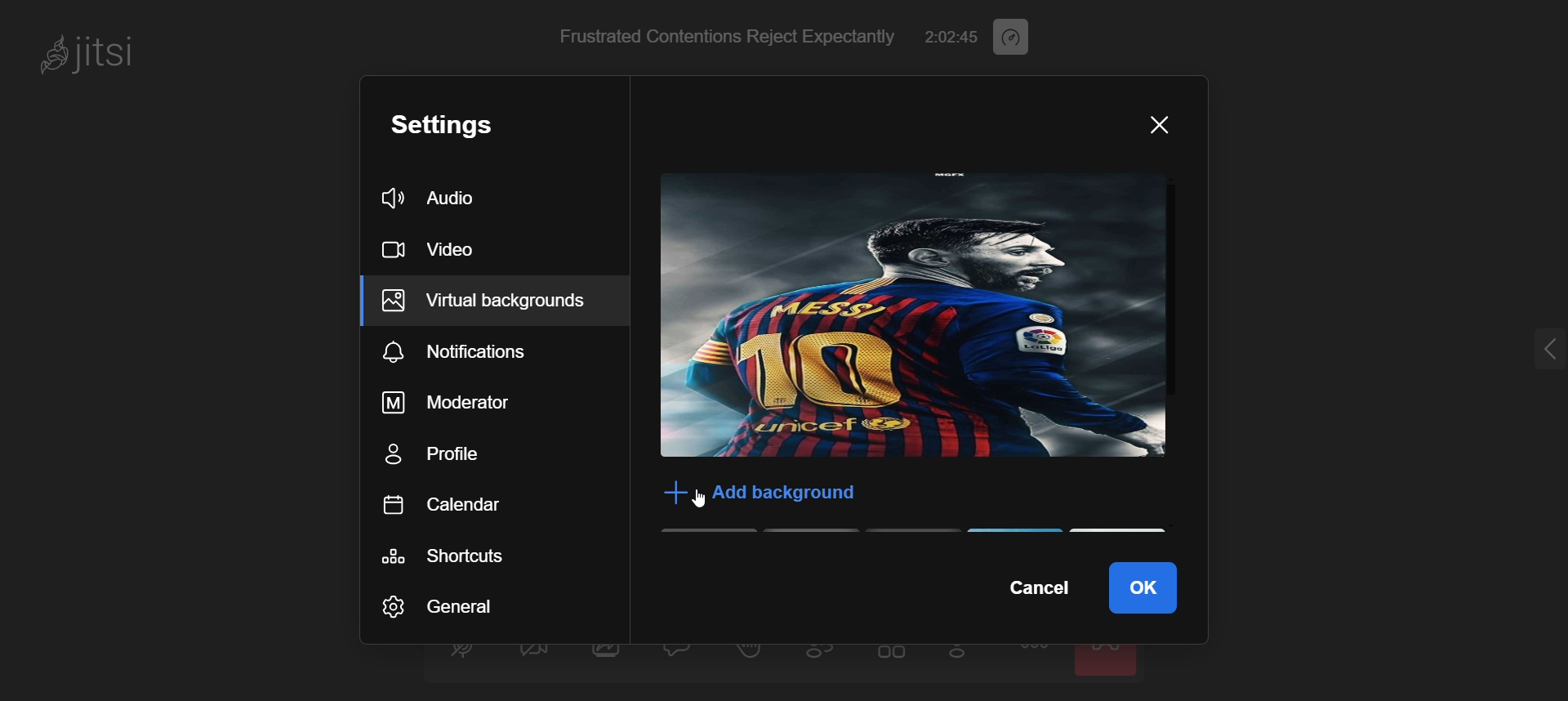  What do you see at coordinates (532, 656) in the screenshot?
I see `start camera` at bounding box center [532, 656].